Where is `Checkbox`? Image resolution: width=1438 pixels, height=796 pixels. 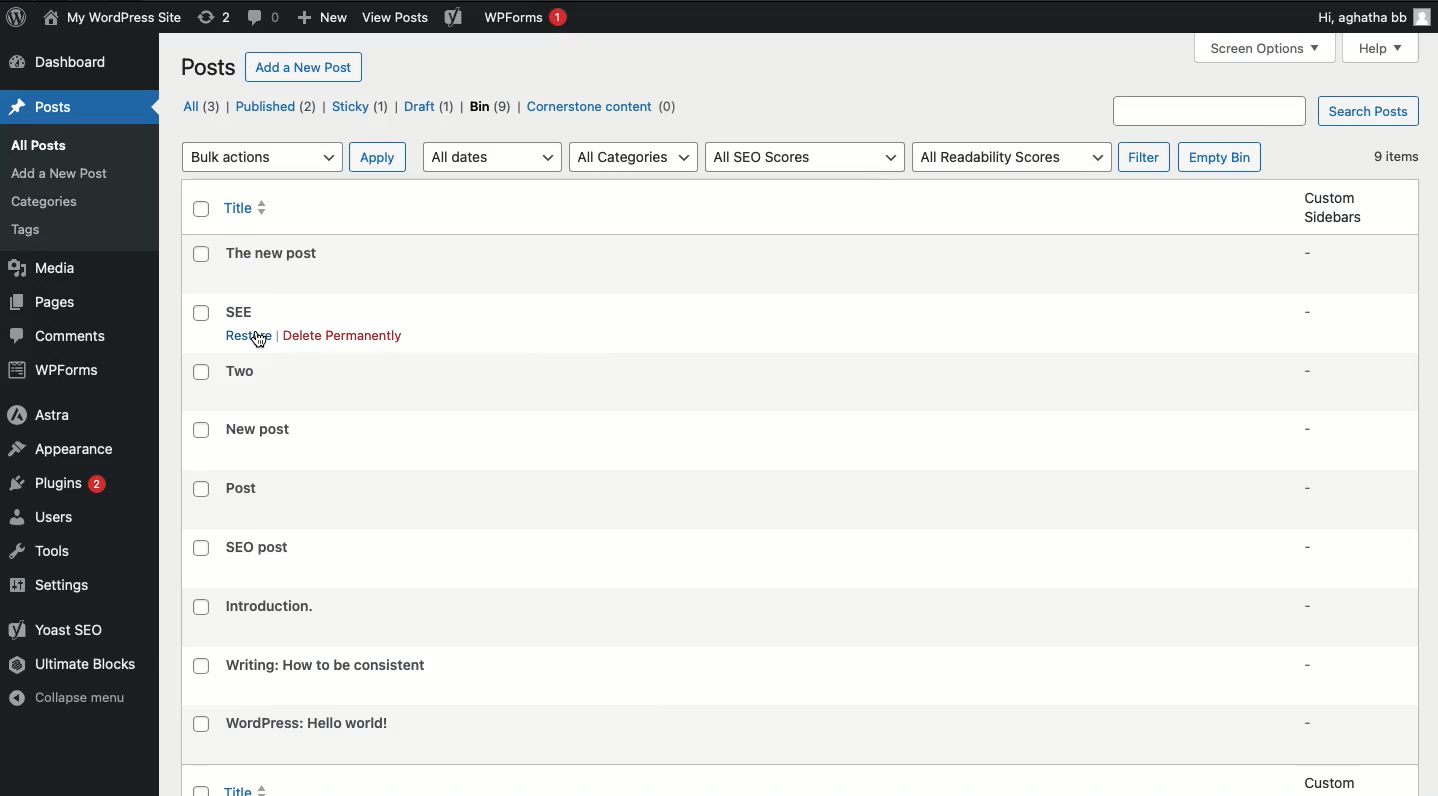 Checkbox is located at coordinates (200, 490).